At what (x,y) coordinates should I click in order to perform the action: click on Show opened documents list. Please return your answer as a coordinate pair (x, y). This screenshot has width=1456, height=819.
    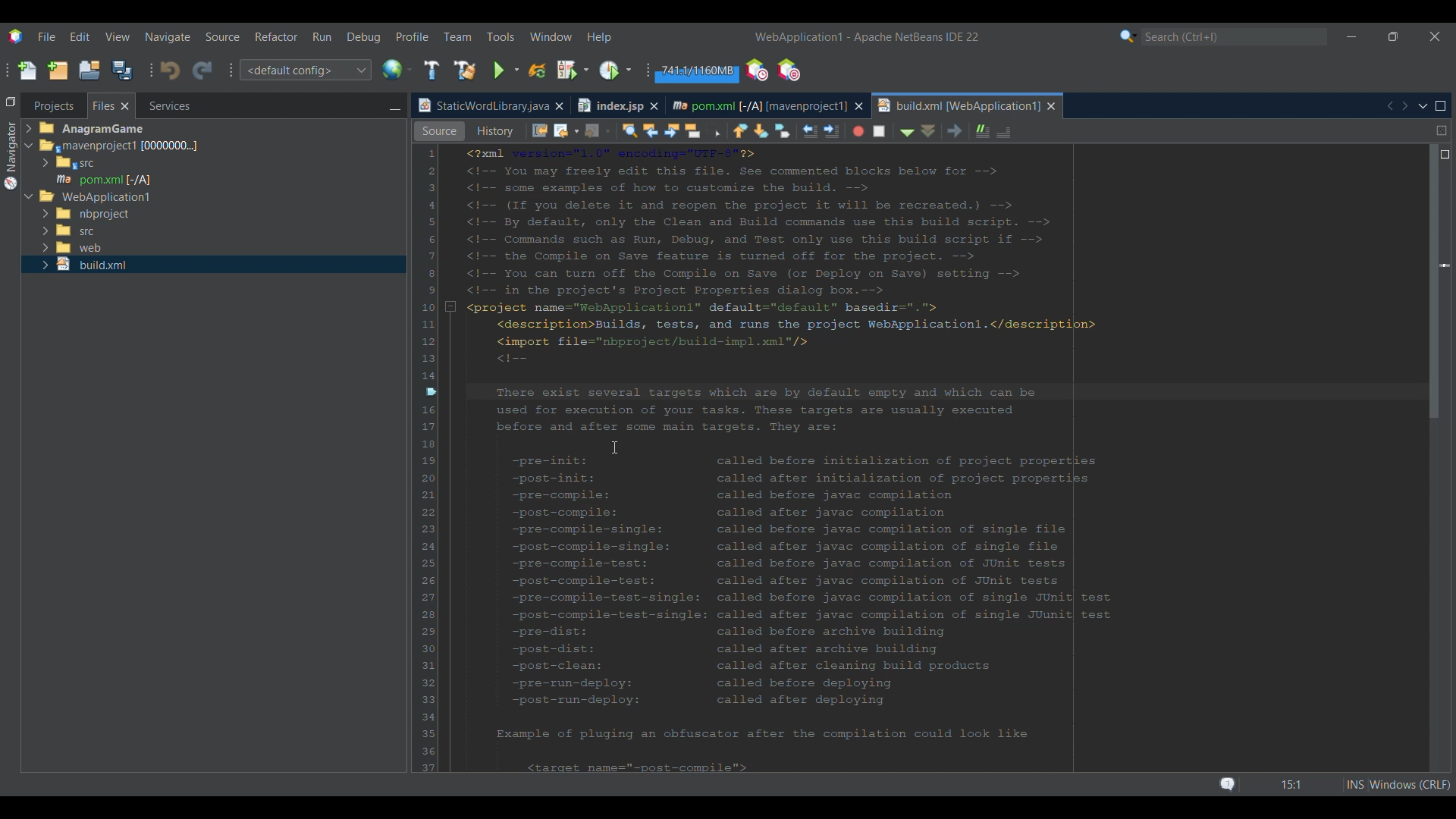
    Looking at the image, I should click on (1423, 107).